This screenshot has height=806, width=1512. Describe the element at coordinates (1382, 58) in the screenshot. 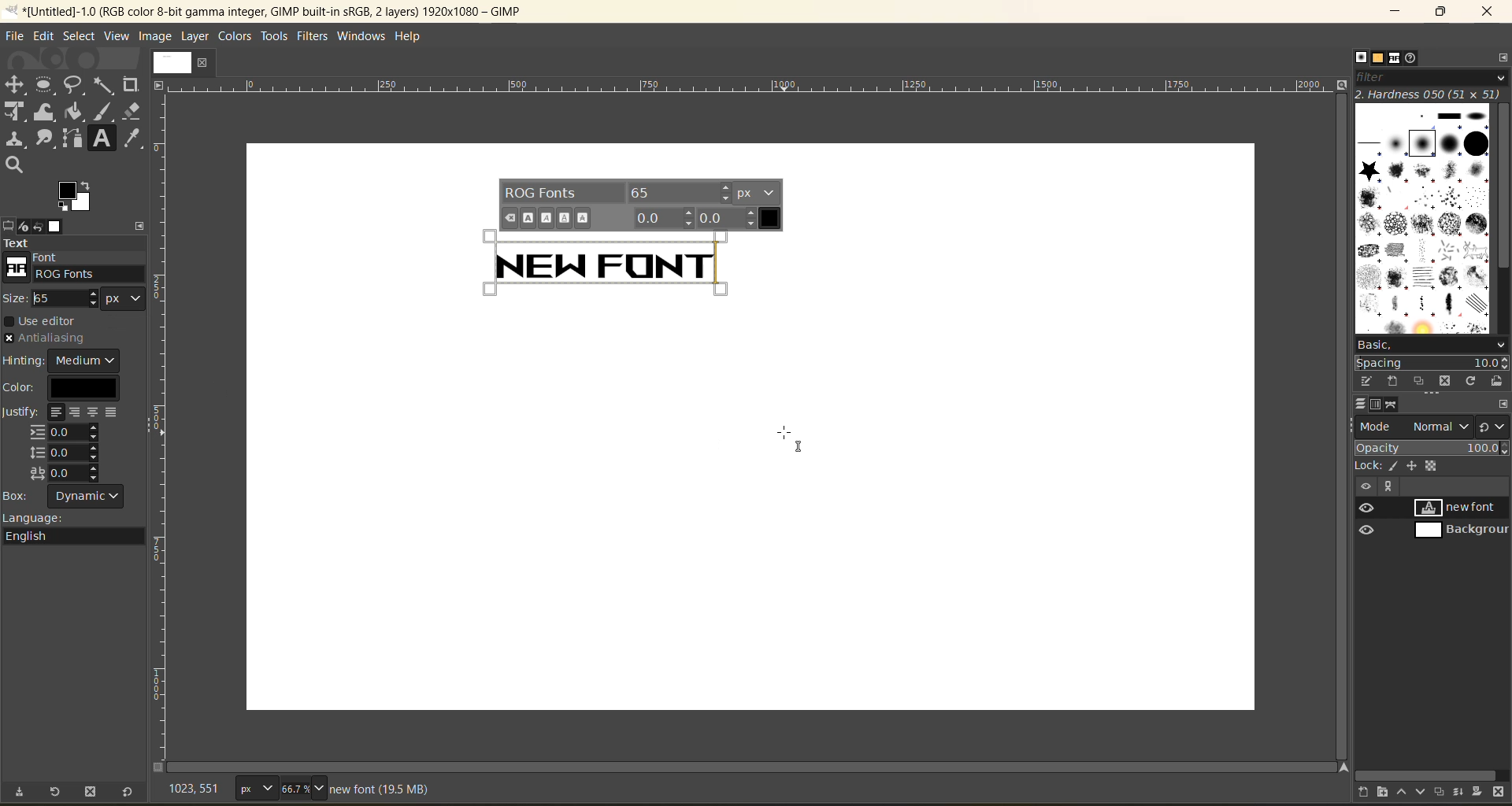

I see `patterns` at that location.